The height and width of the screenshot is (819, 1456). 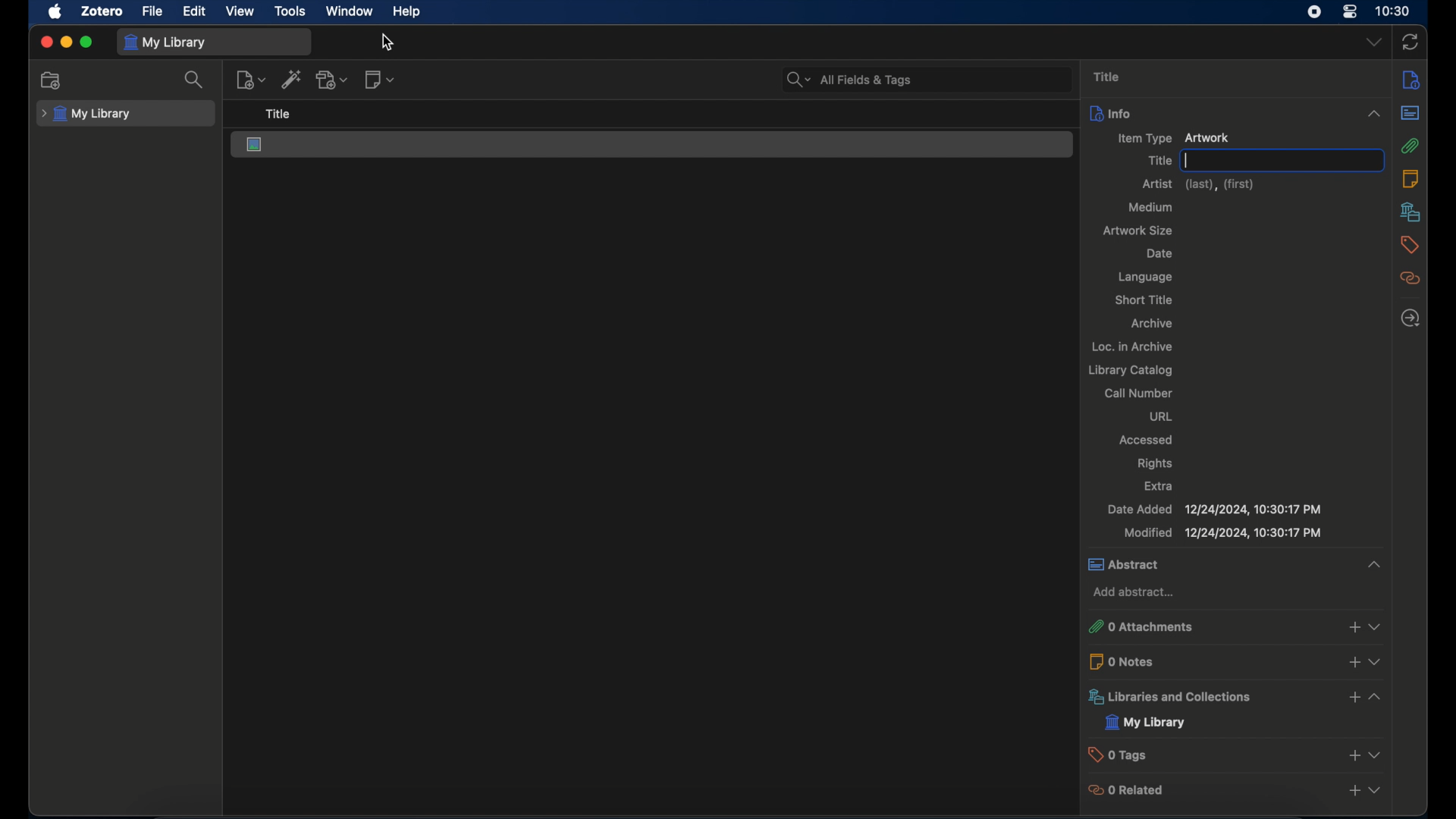 What do you see at coordinates (1156, 755) in the screenshot?
I see `0 tags` at bounding box center [1156, 755].